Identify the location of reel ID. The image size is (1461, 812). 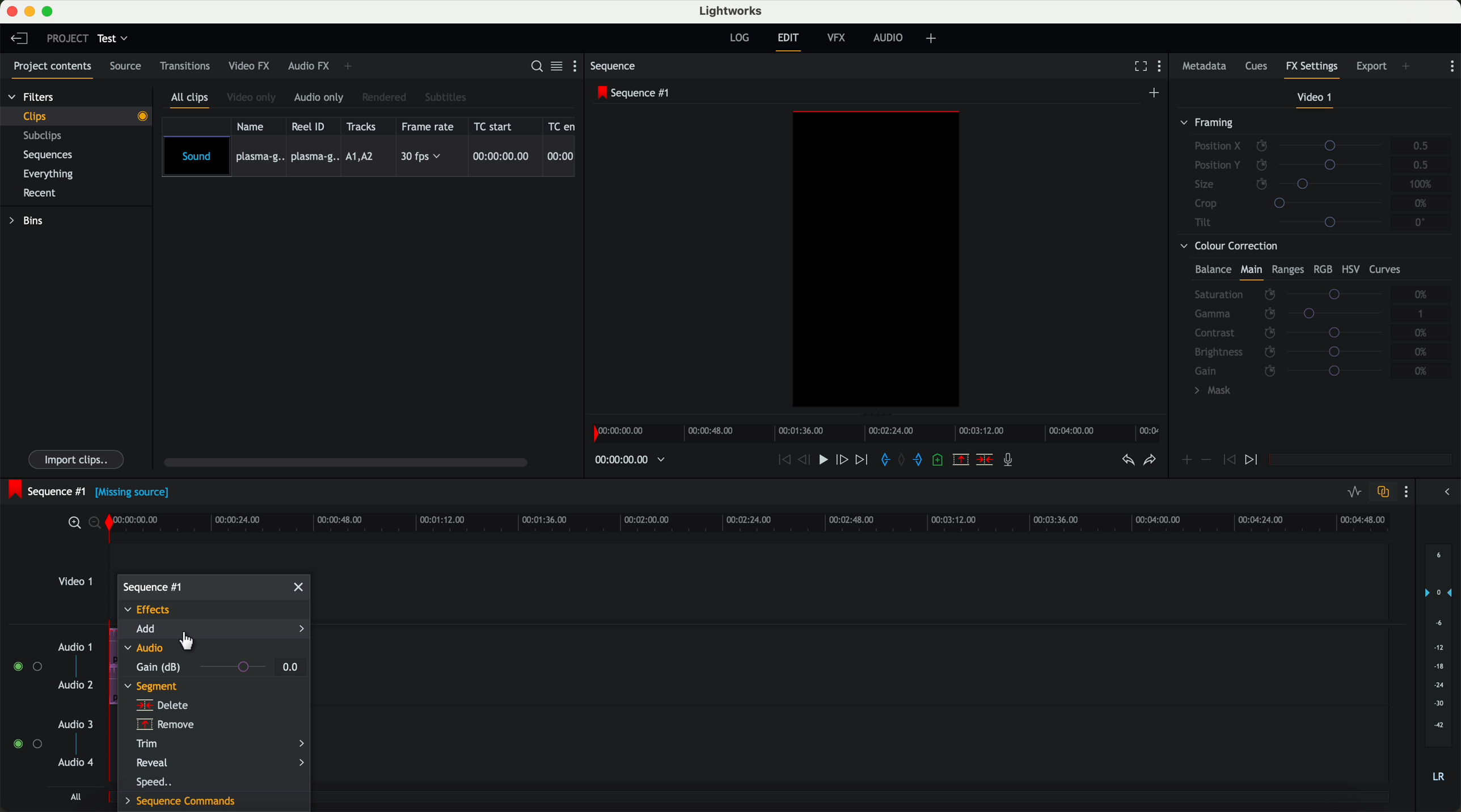
(311, 126).